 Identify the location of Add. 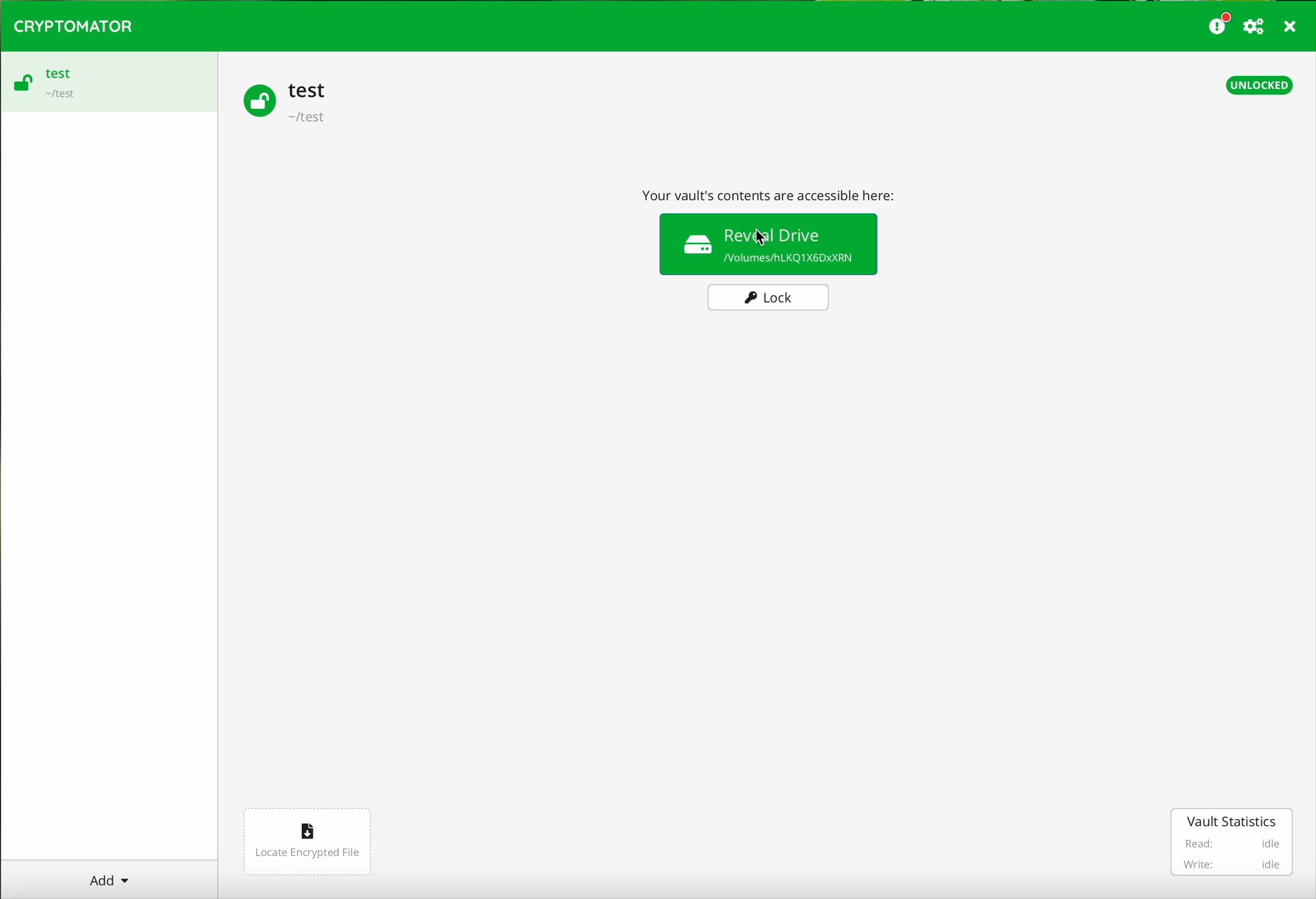
(109, 876).